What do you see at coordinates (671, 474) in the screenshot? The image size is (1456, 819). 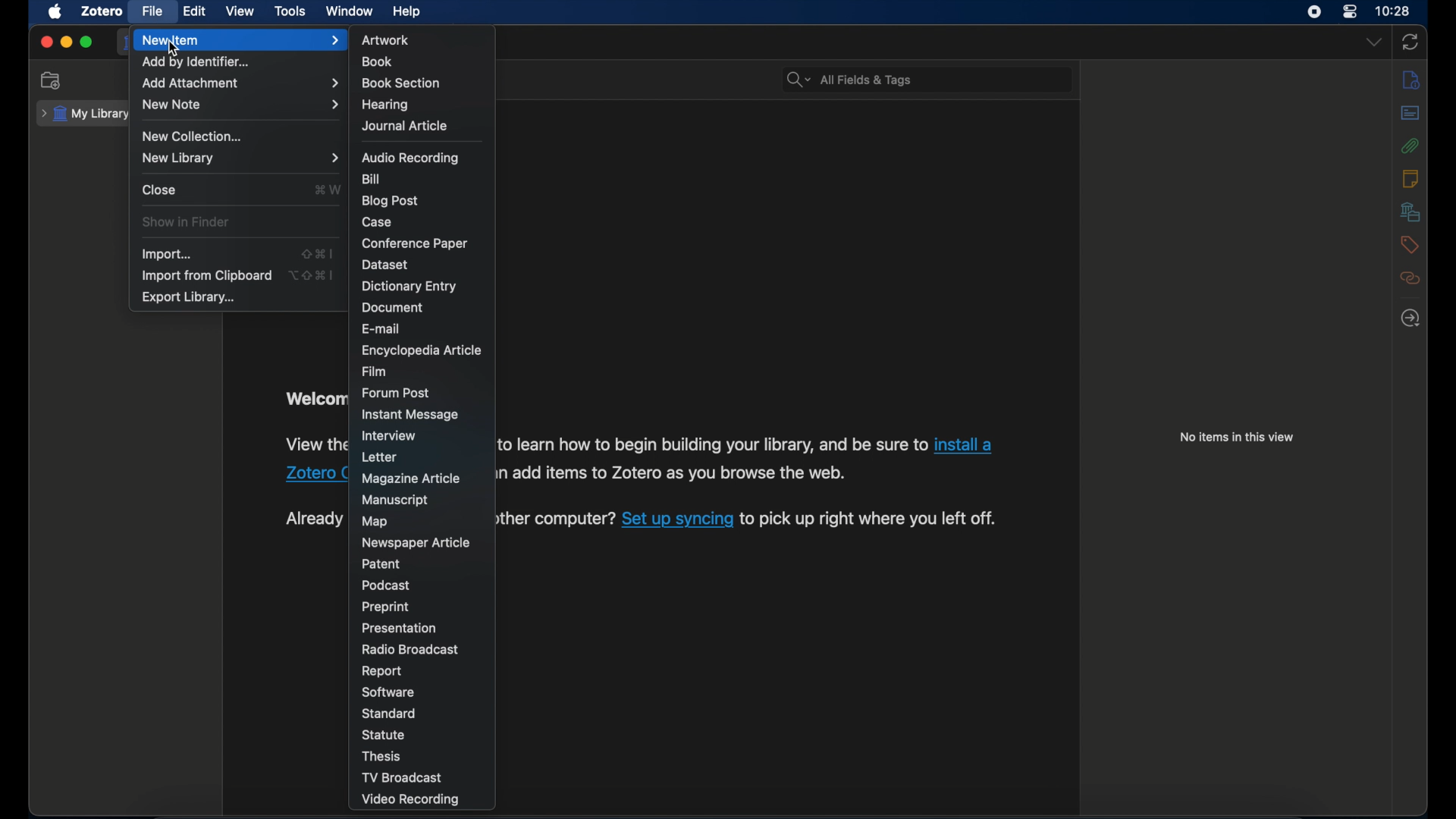 I see `link` at bounding box center [671, 474].